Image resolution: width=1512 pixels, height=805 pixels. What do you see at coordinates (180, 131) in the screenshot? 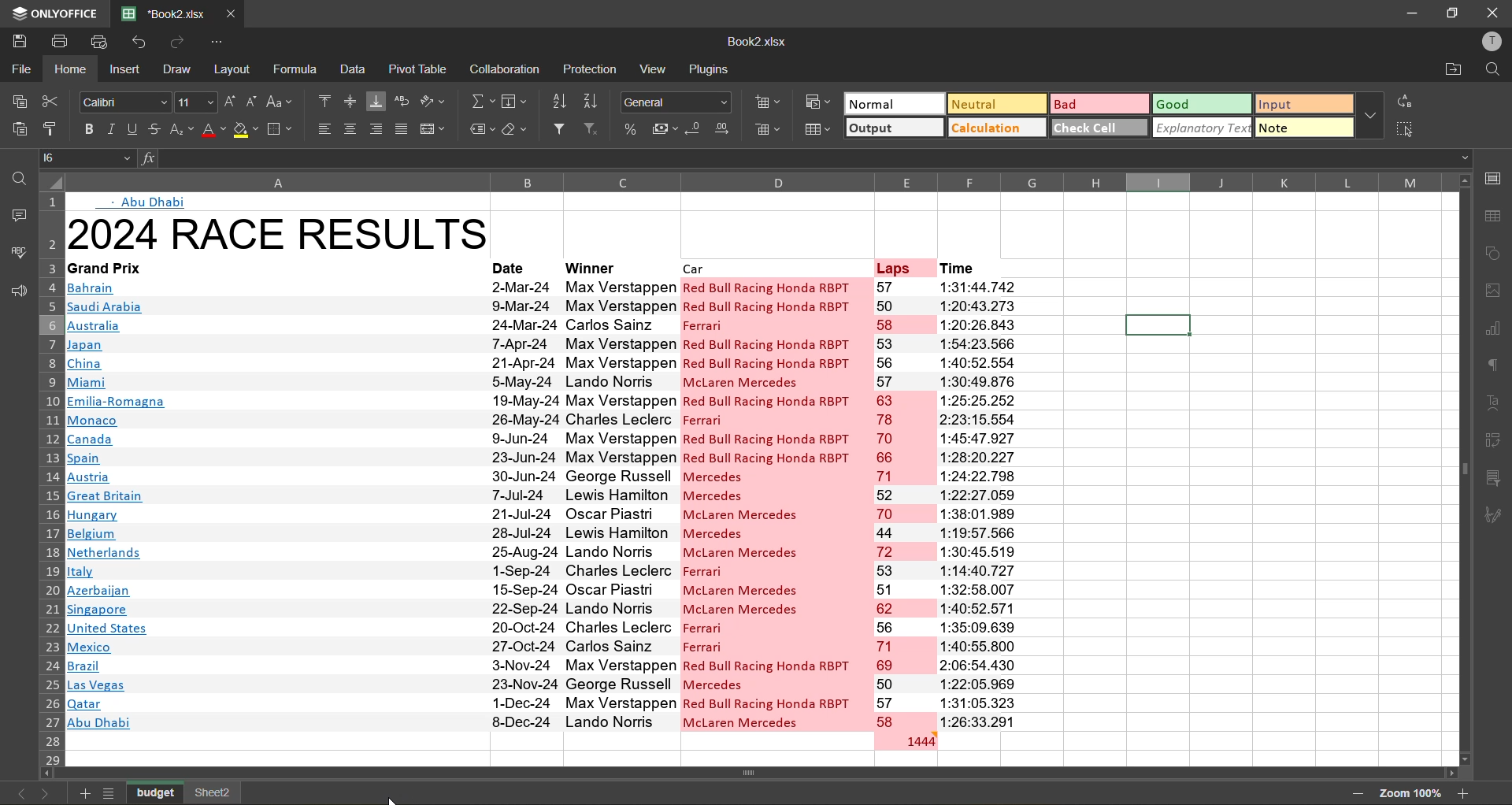
I see `sub/superscript` at bounding box center [180, 131].